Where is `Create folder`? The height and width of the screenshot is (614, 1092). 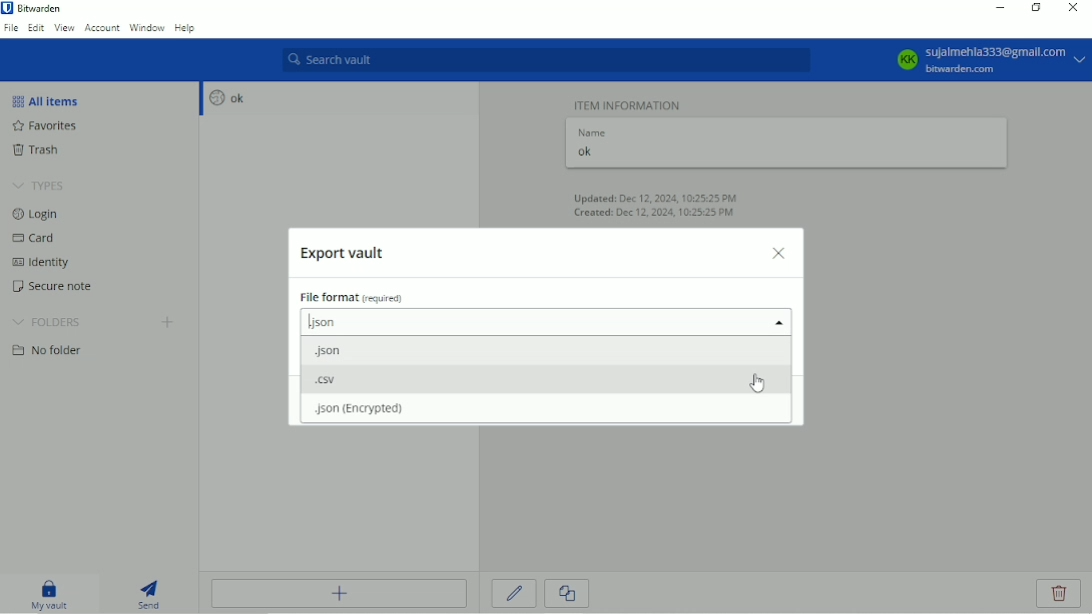 Create folder is located at coordinates (169, 324).